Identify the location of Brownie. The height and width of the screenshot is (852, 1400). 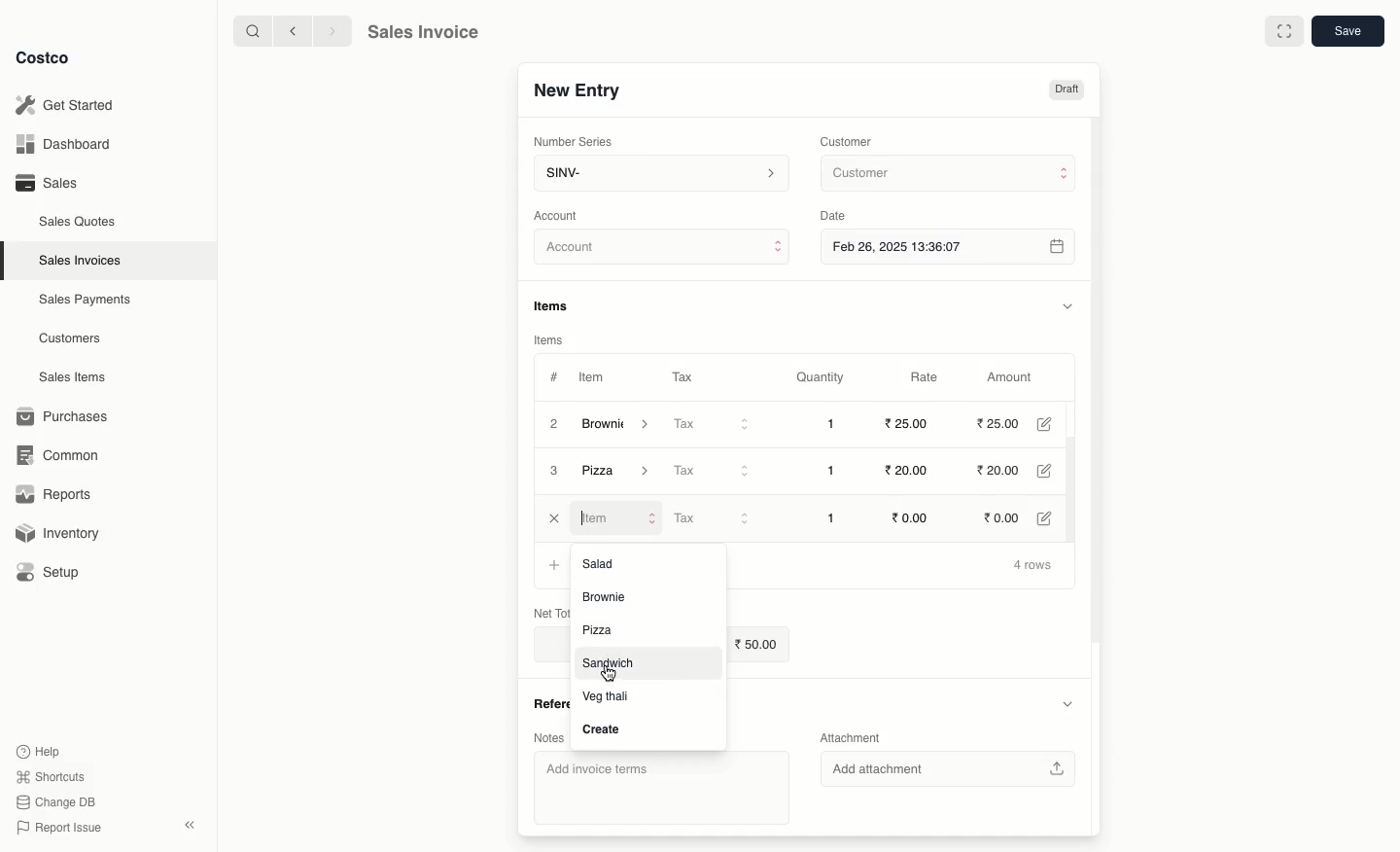
(621, 473).